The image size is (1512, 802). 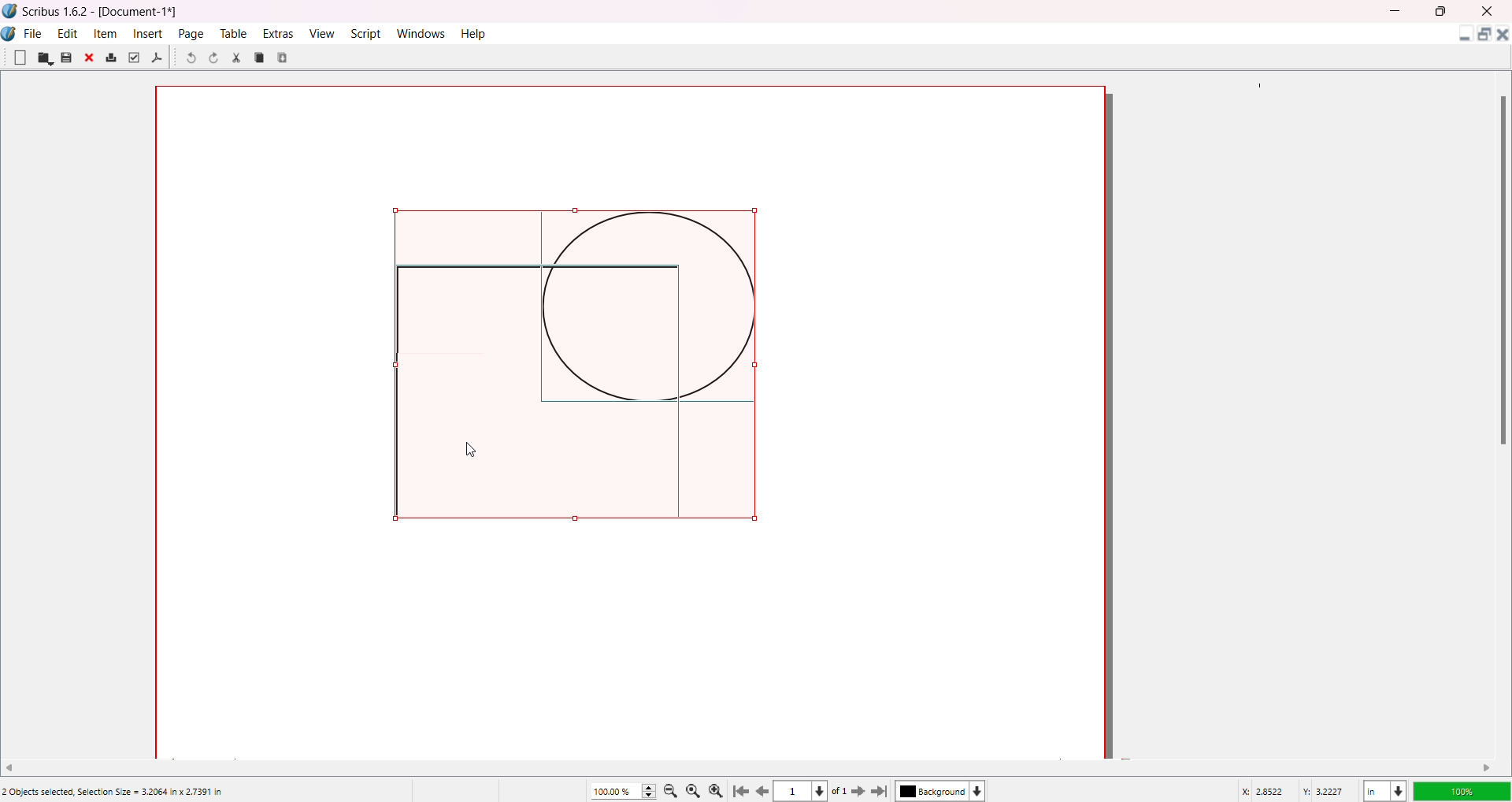 What do you see at coordinates (944, 791) in the screenshot?
I see `Background color` at bounding box center [944, 791].